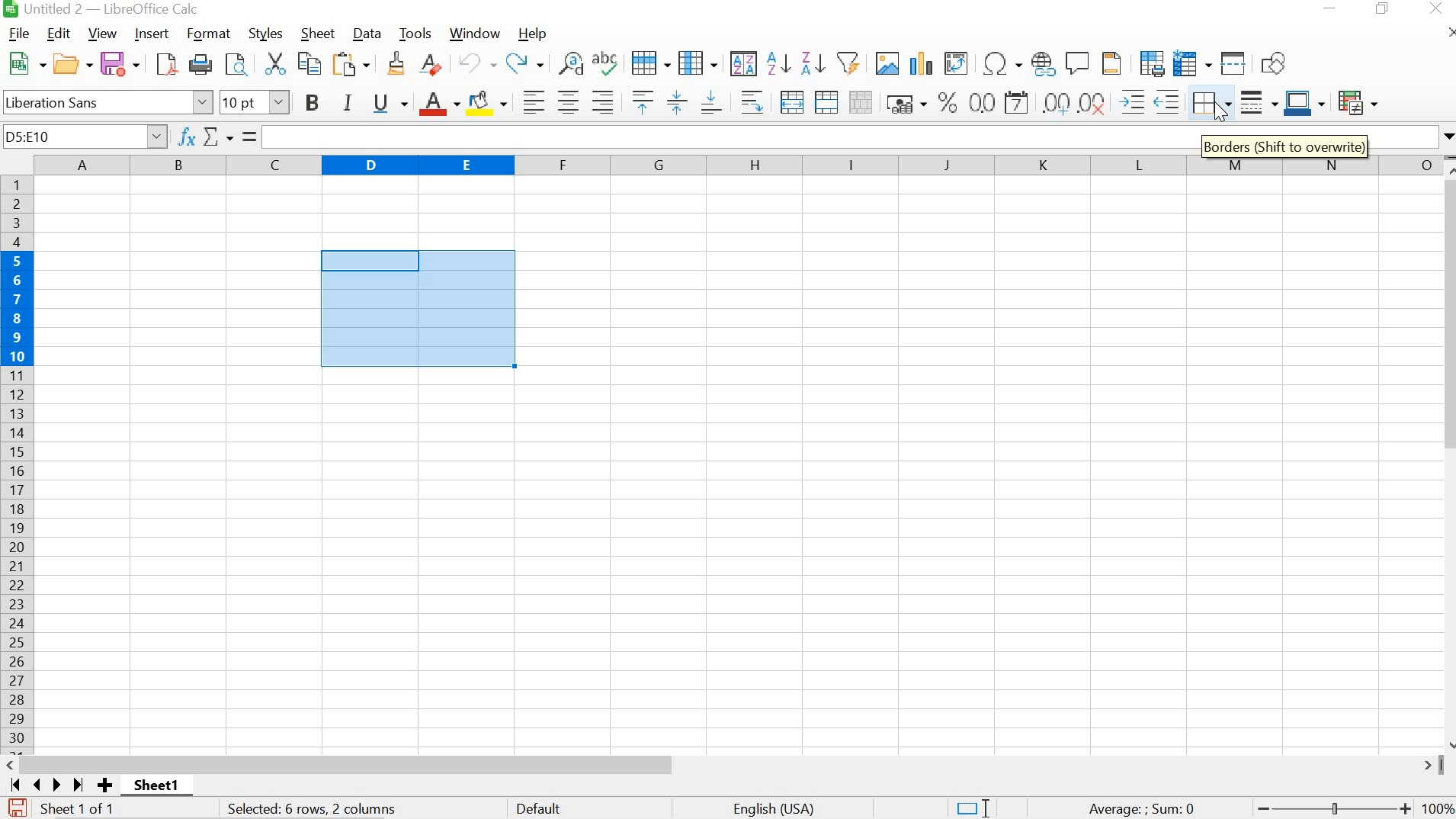 Image resolution: width=1456 pixels, height=819 pixels. I want to click on FORMAT AS DATE, so click(1018, 101).